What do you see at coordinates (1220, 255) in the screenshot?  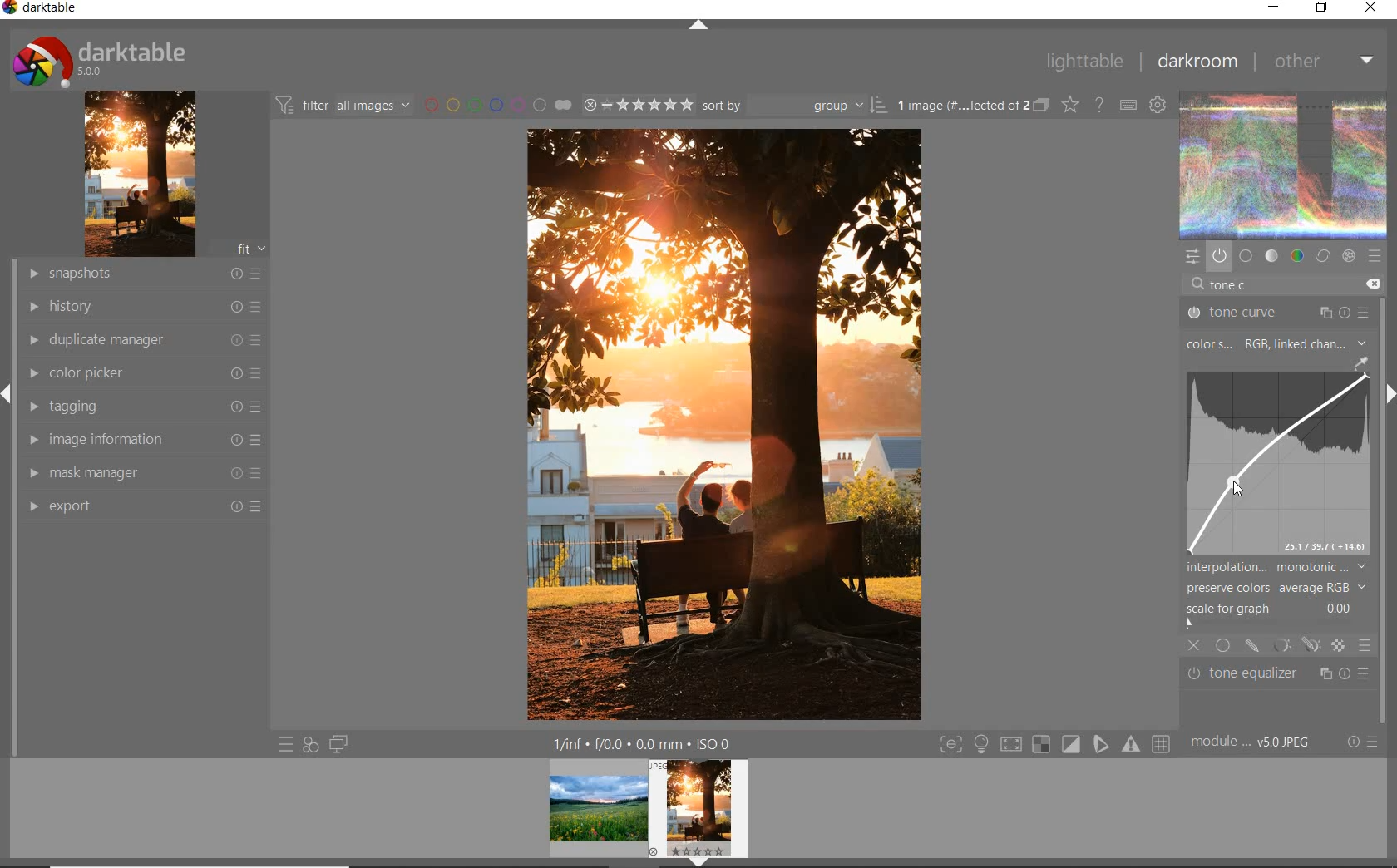 I see `show only active modules` at bounding box center [1220, 255].